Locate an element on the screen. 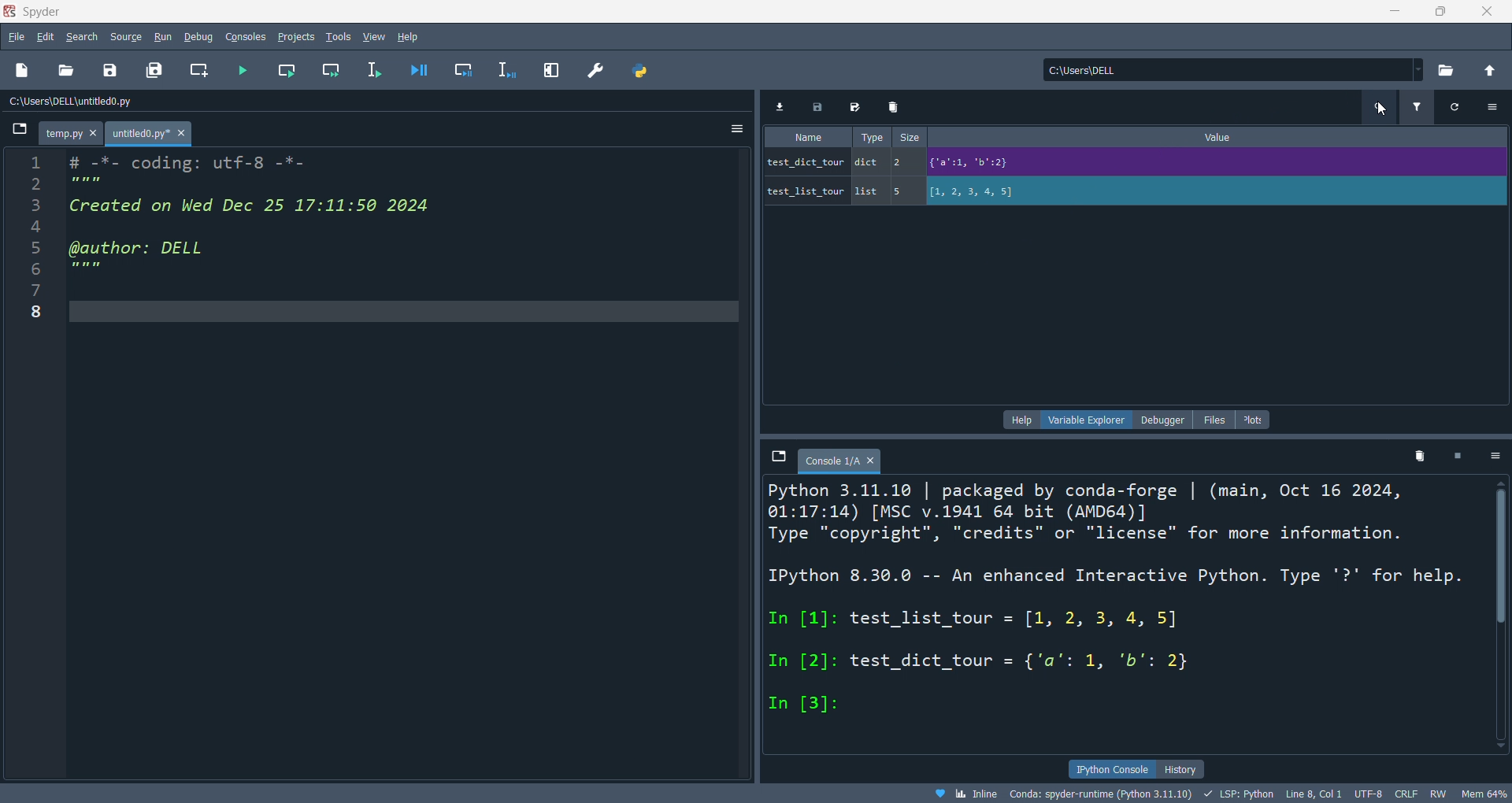  preferenc is located at coordinates (597, 70).